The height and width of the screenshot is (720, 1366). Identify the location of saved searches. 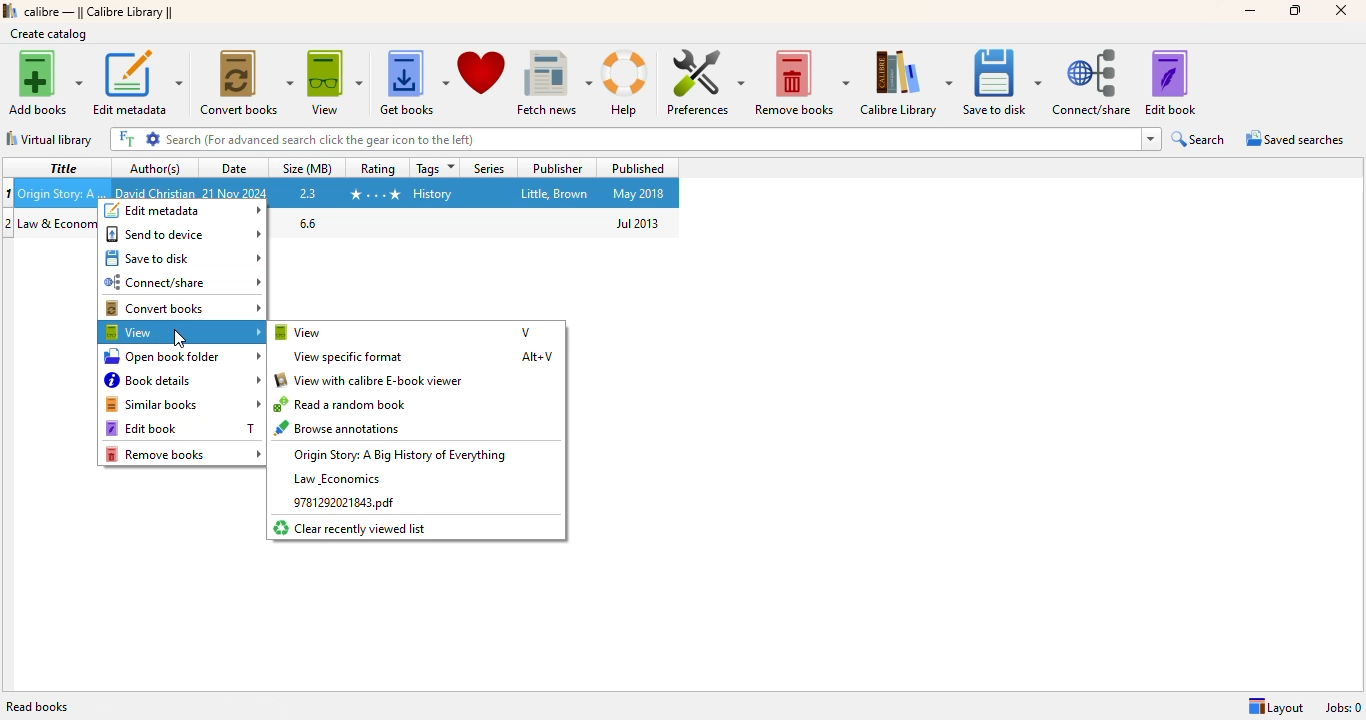
(1296, 137).